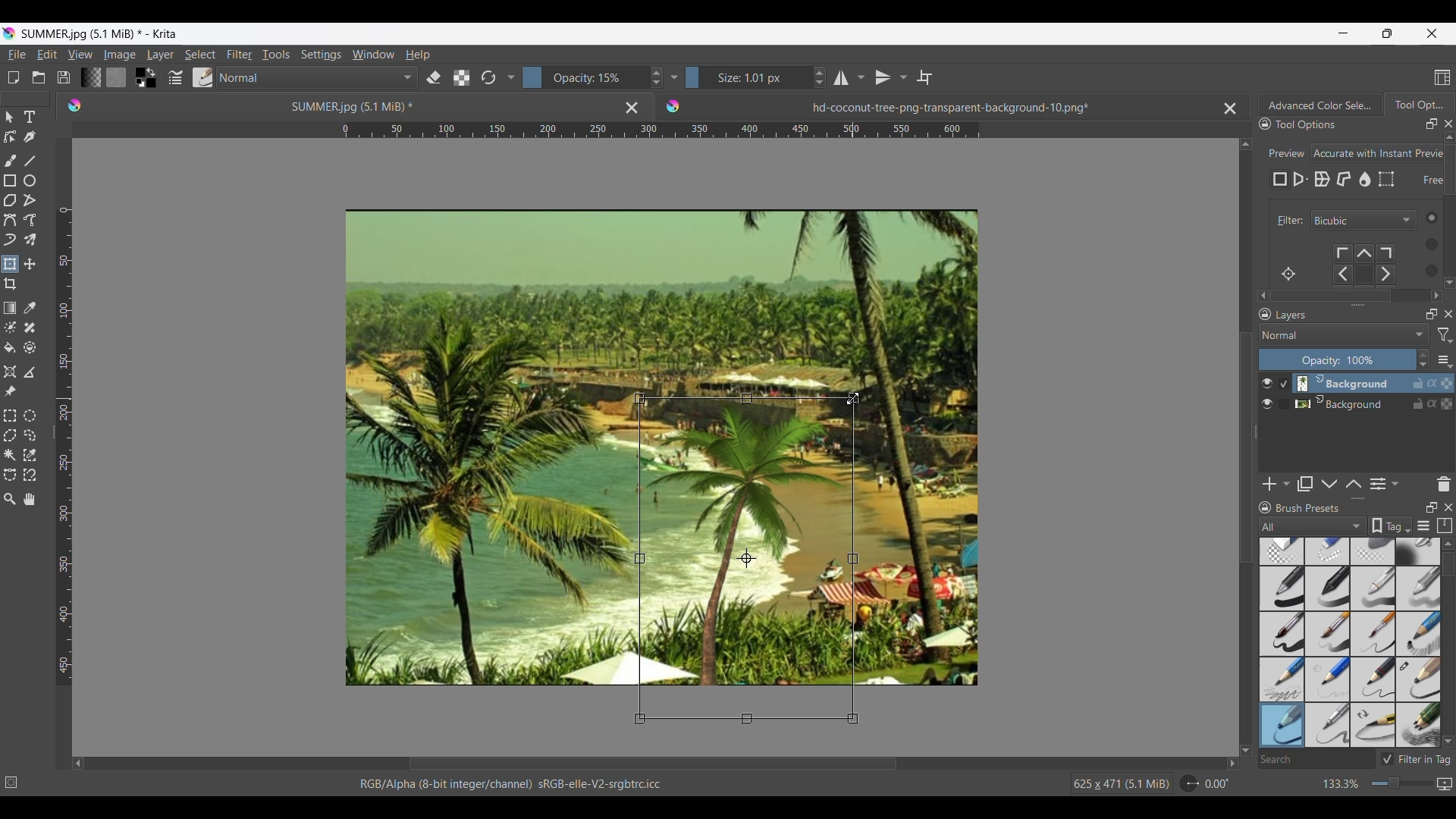 This screenshot has width=1456, height=819. I want to click on Cursor position unchanged, Shift key selected, so click(853, 398).